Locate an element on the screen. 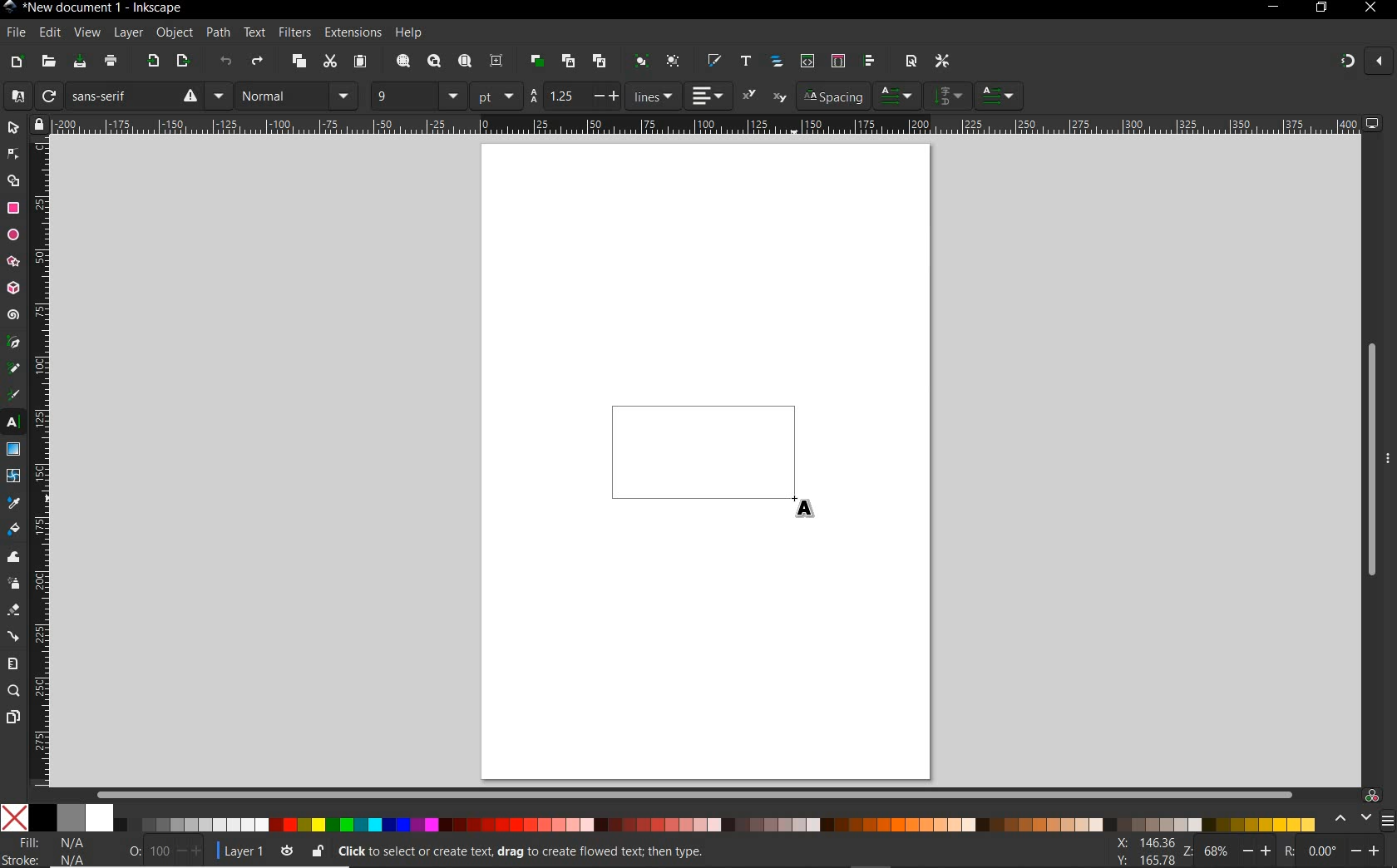 The image size is (1397, 868). canvas is located at coordinates (707, 458).